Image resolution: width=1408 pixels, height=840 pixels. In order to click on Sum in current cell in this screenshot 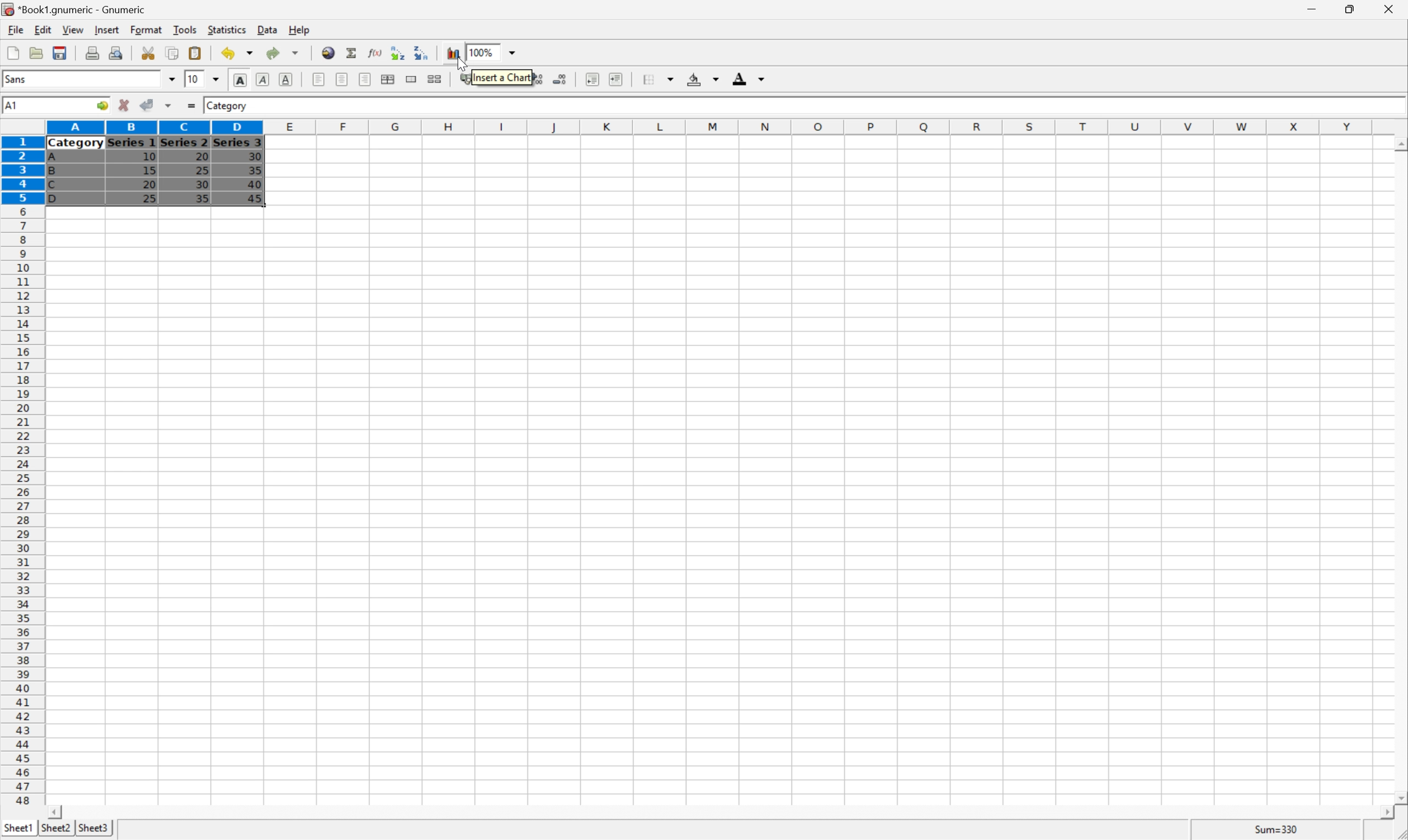, I will do `click(353, 53)`.